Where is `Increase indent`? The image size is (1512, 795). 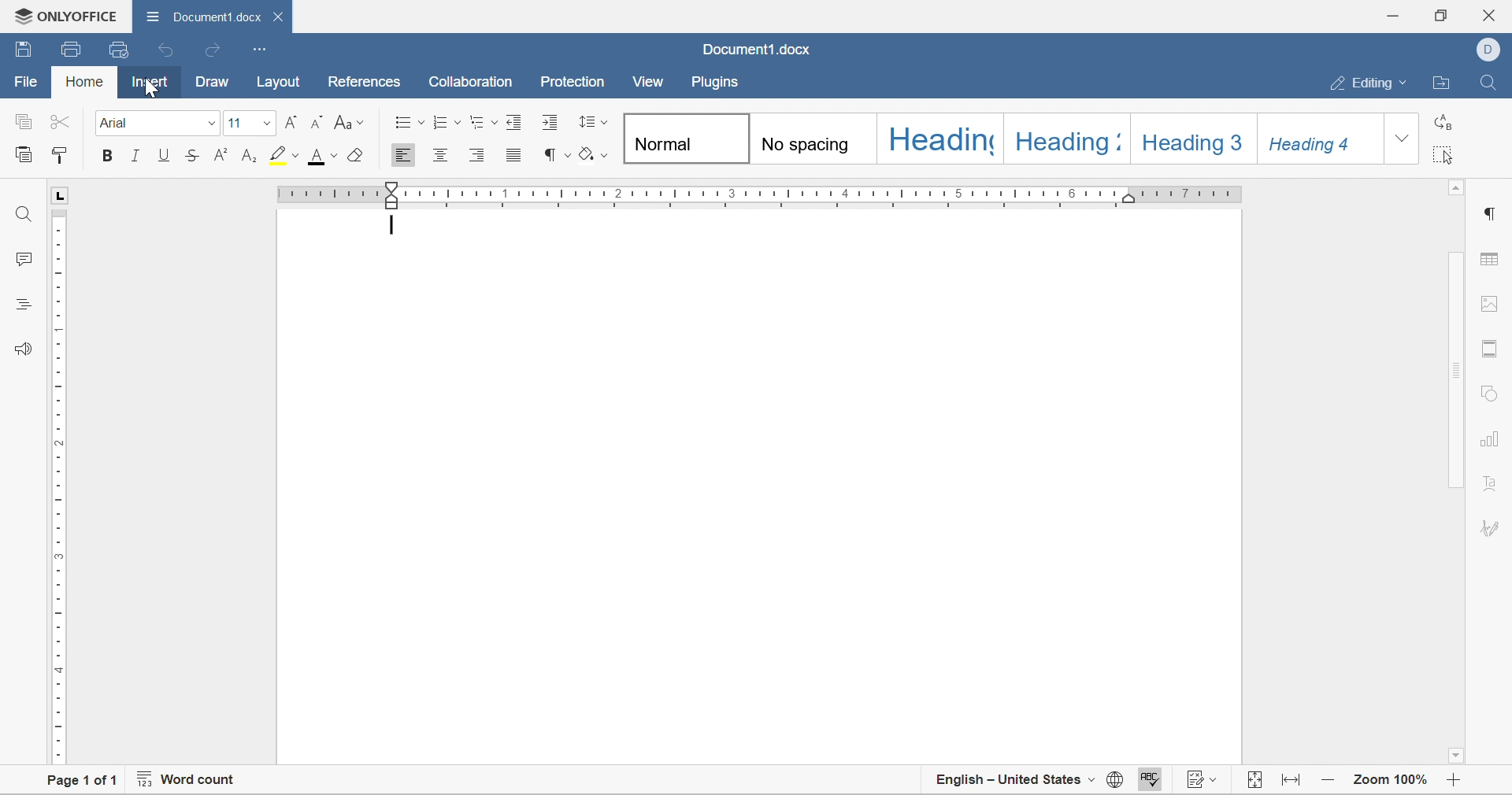
Increase indent is located at coordinates (551, 124).